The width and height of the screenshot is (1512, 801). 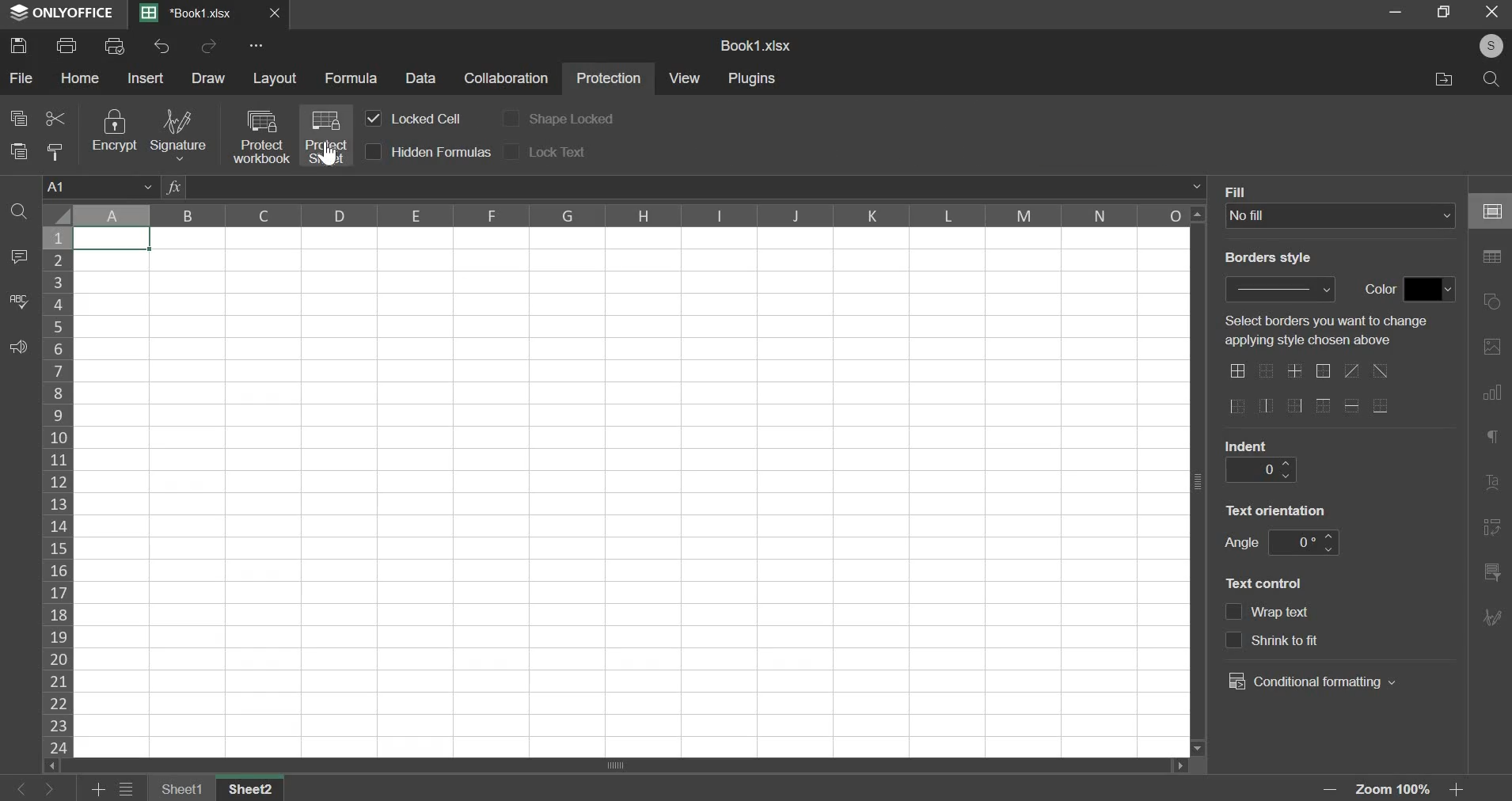 I want to click on draw, so click(x=208, y=78).